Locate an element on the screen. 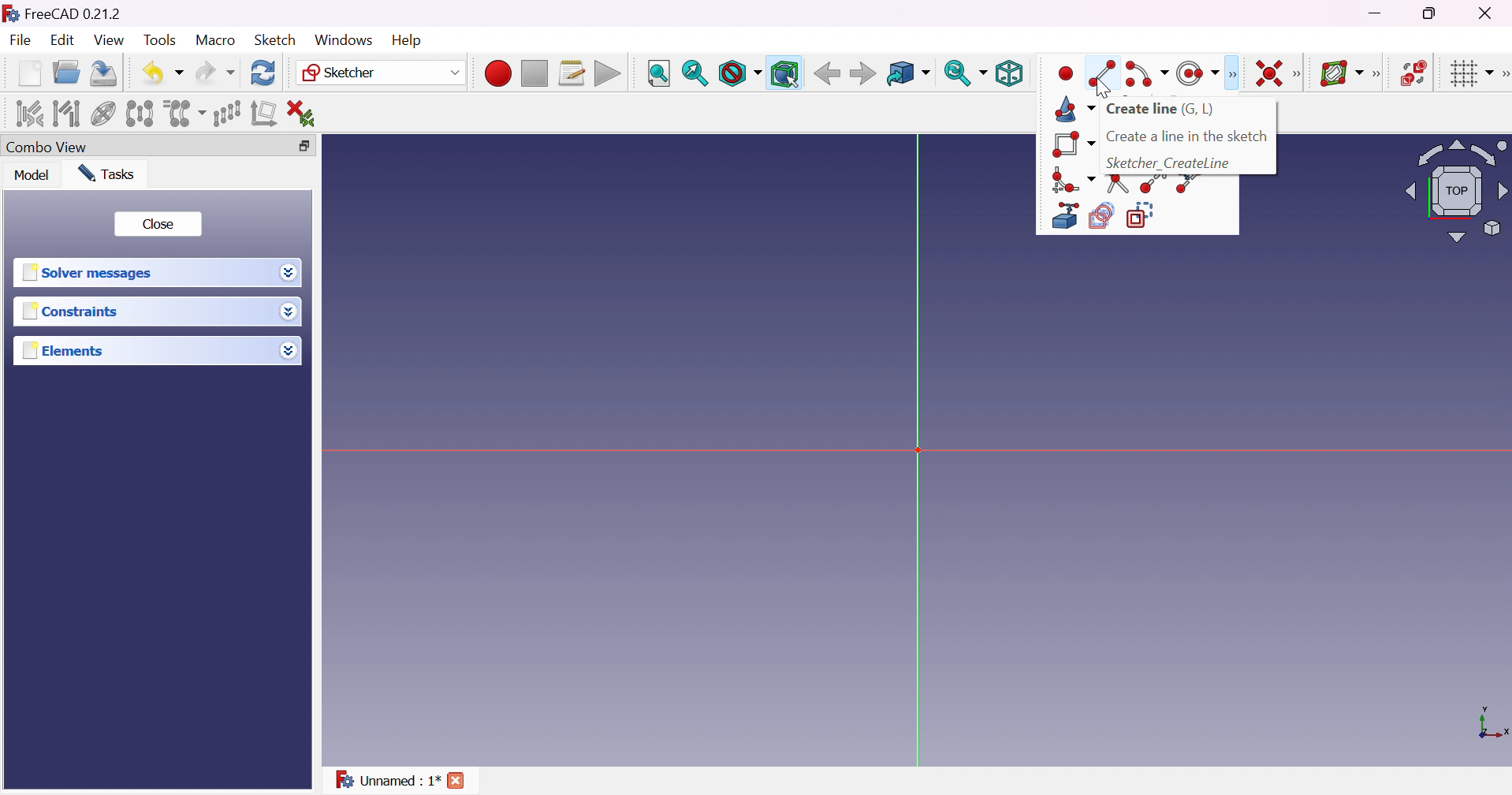 The image size is (1512, 795). Create conic is located at coordinates (1073, 110).